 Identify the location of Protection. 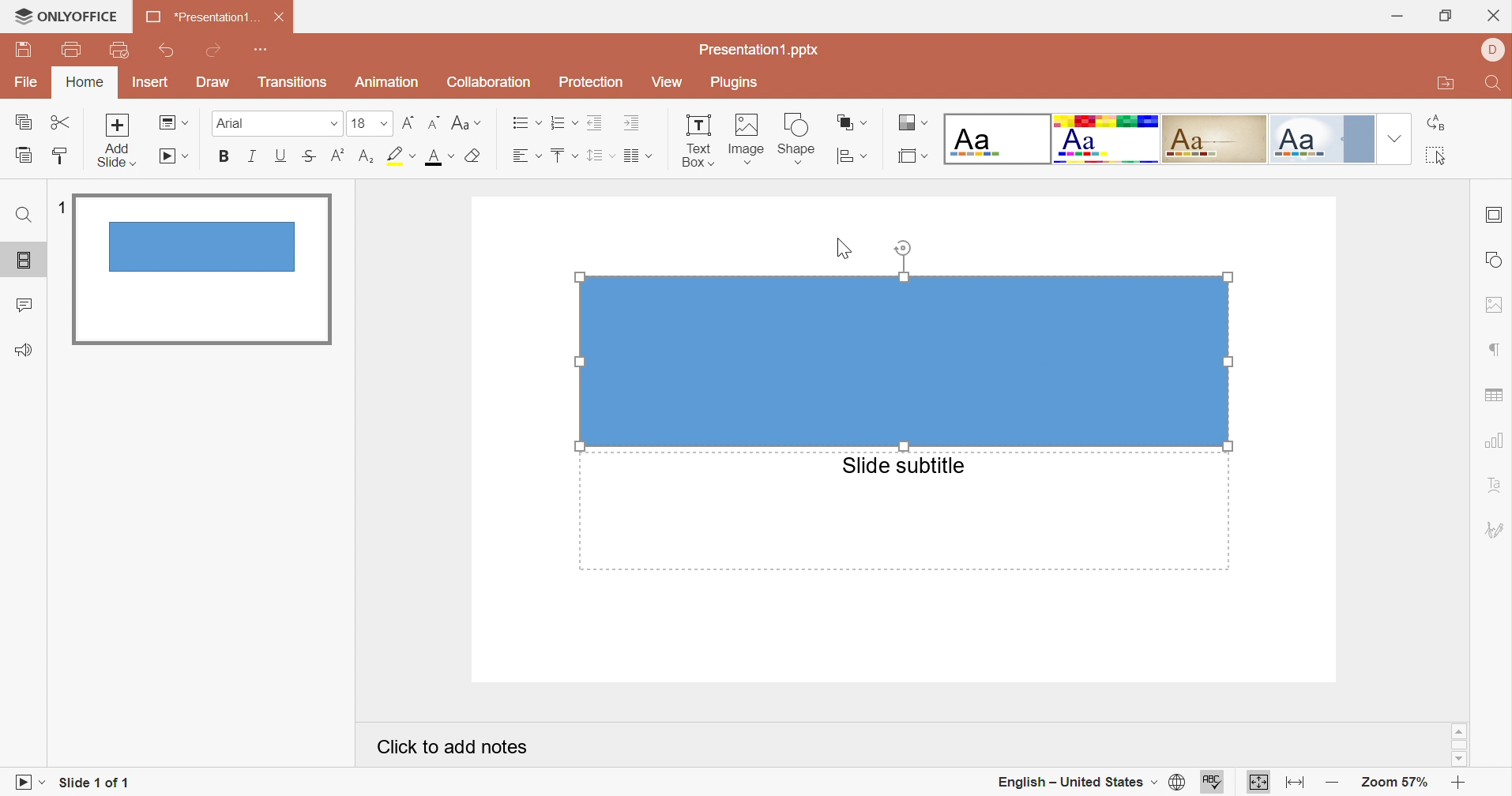
(592, 82).